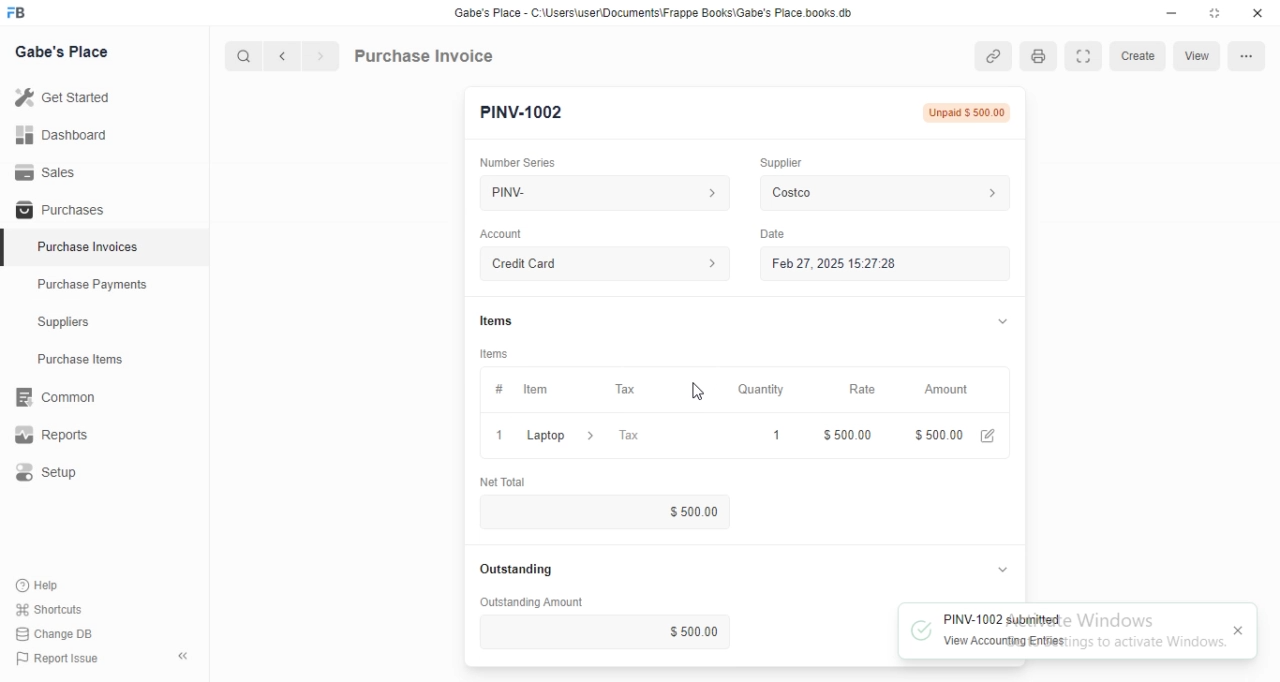  I want to click on Report Issue, so click(58, 658).